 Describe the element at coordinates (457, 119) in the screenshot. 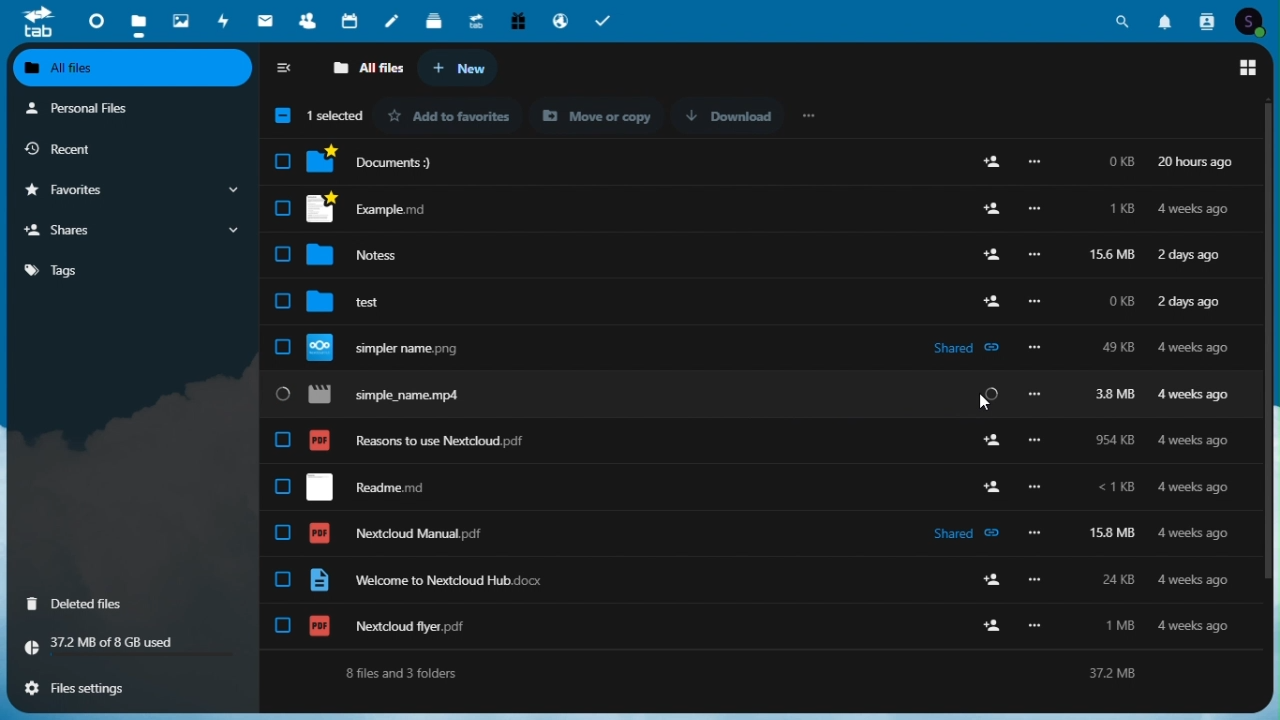

I see `text` at that location.